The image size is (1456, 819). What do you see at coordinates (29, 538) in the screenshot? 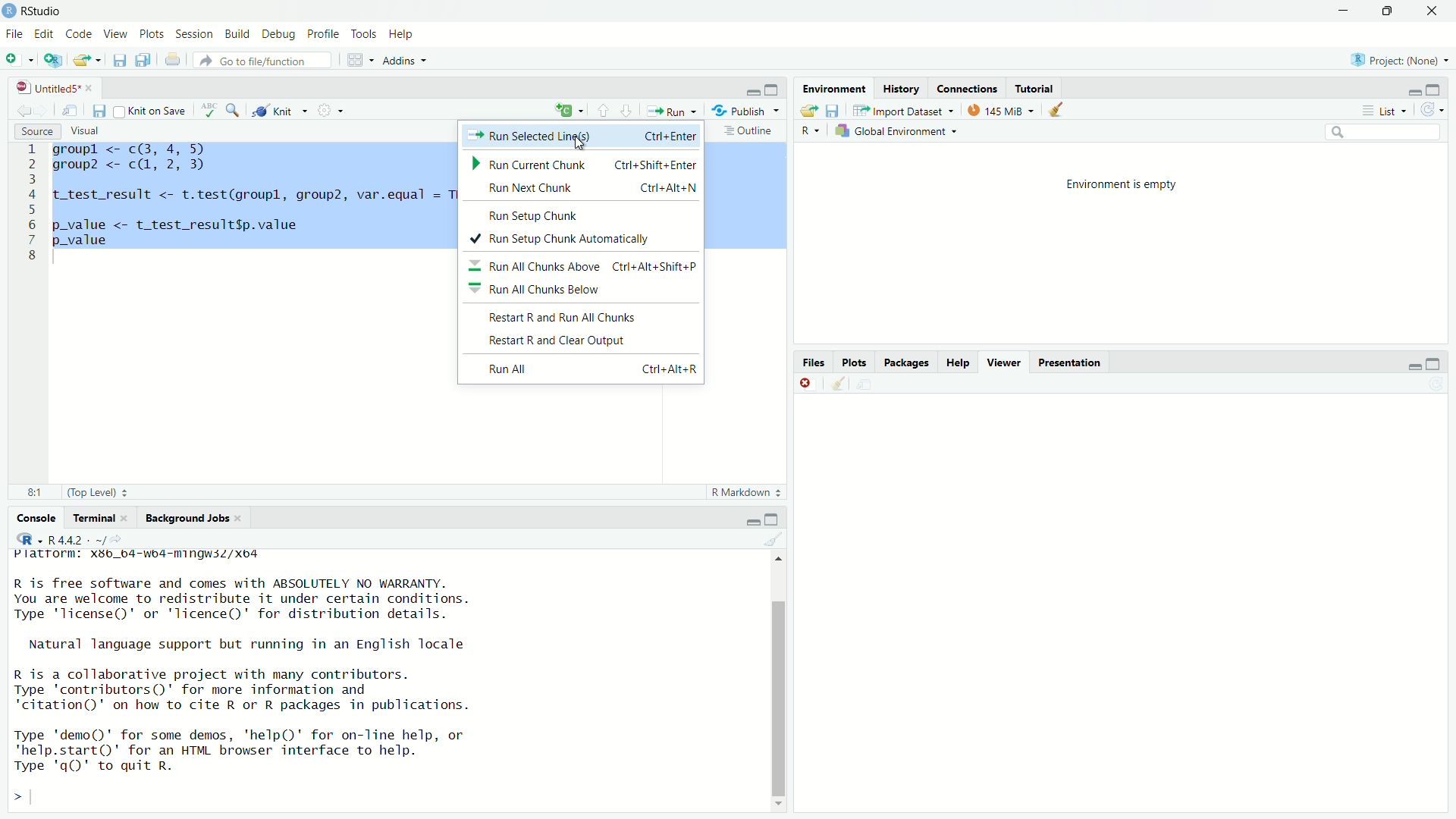
I see `RStudio logo` at bounding box center [29, 538].